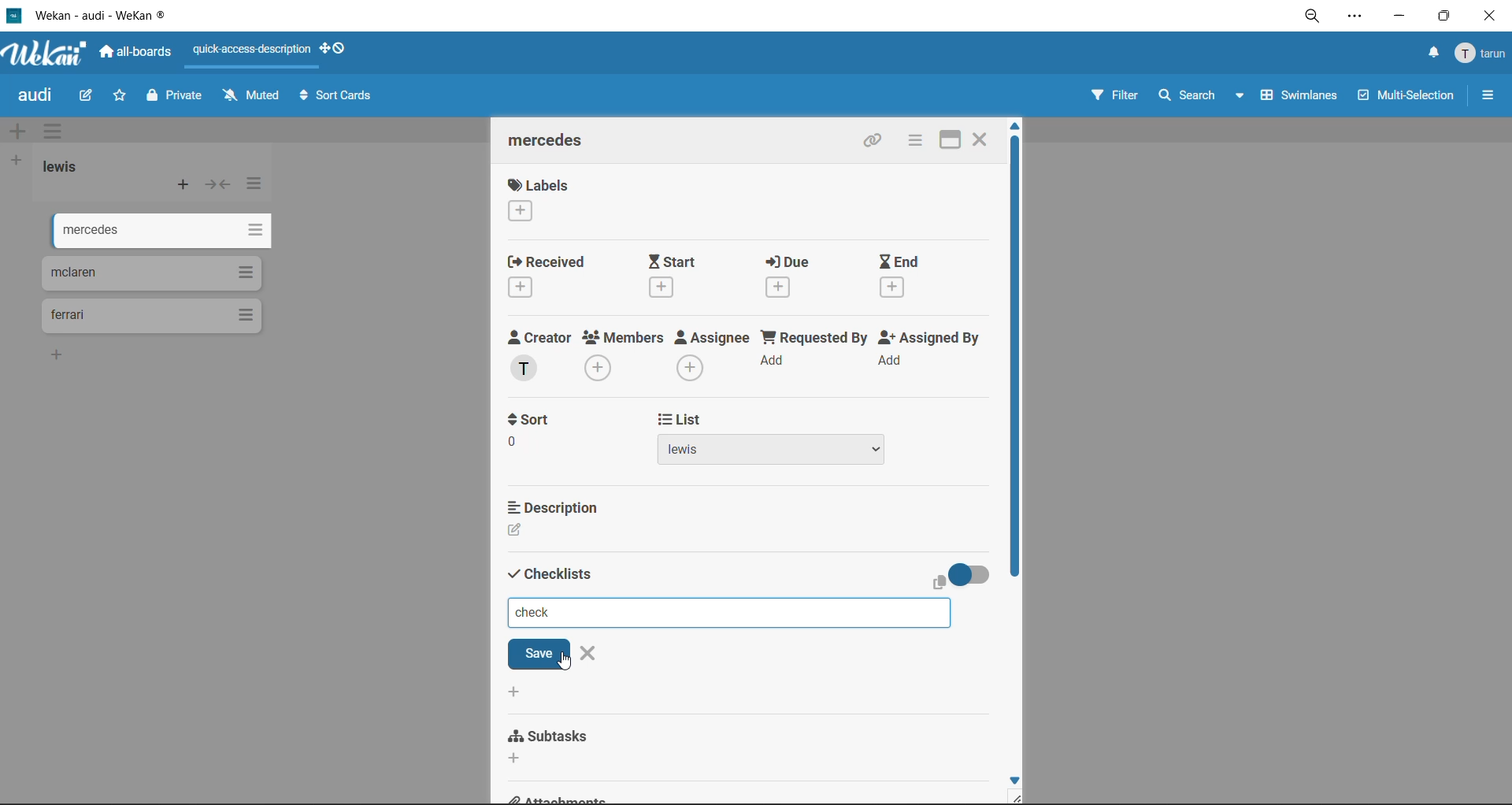 Image resolution: width=1512 pixels, height=805 pixels. Describe the element at coordinates (912, 142) in the screenshot. I see `card actions` at that location.